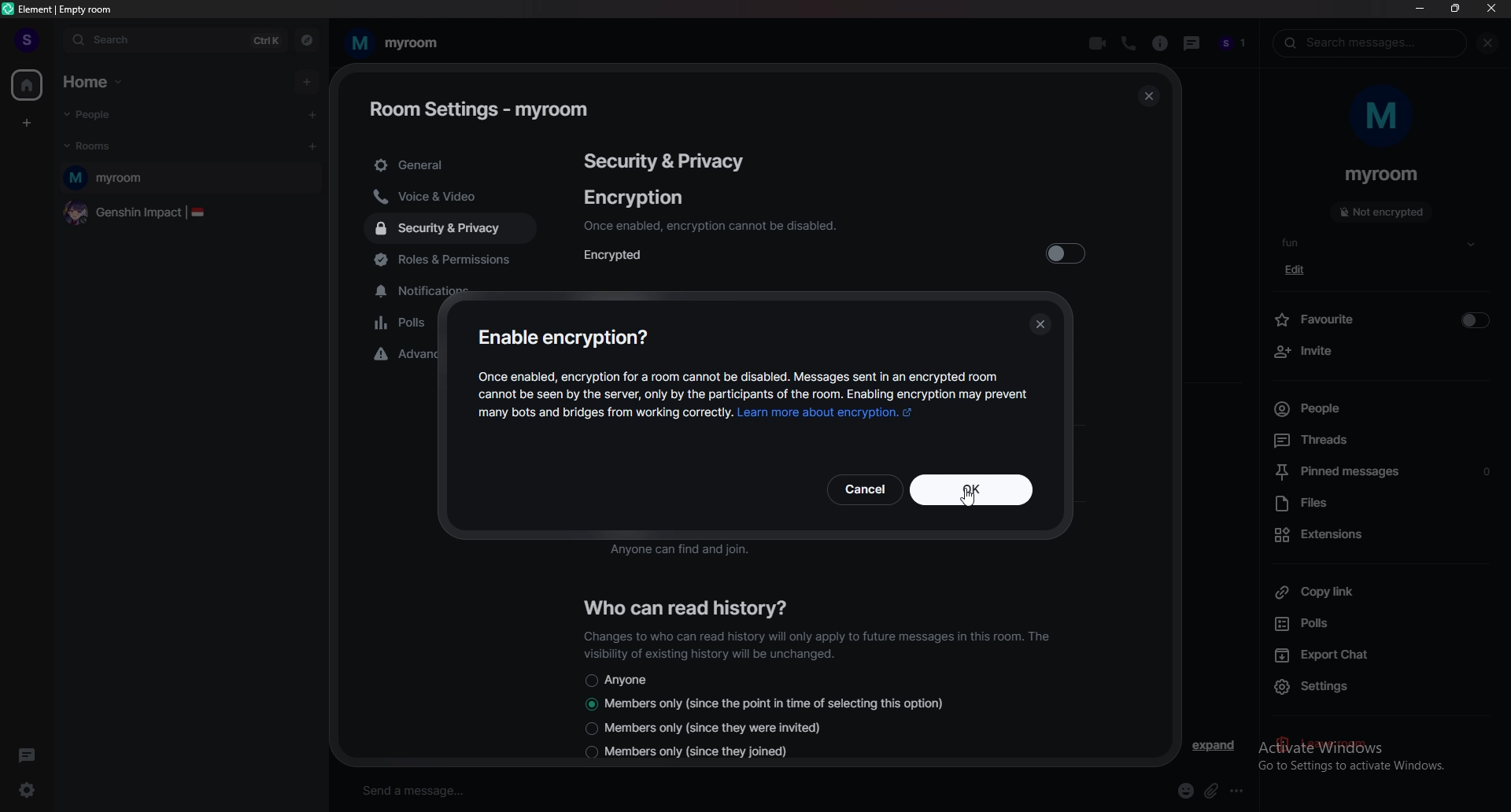 This screenshot has height=812, width=1511. What do you see at coordinates (1377, 592) in the screenshot?
I see `copy link` at bounding box center [1377, 592].